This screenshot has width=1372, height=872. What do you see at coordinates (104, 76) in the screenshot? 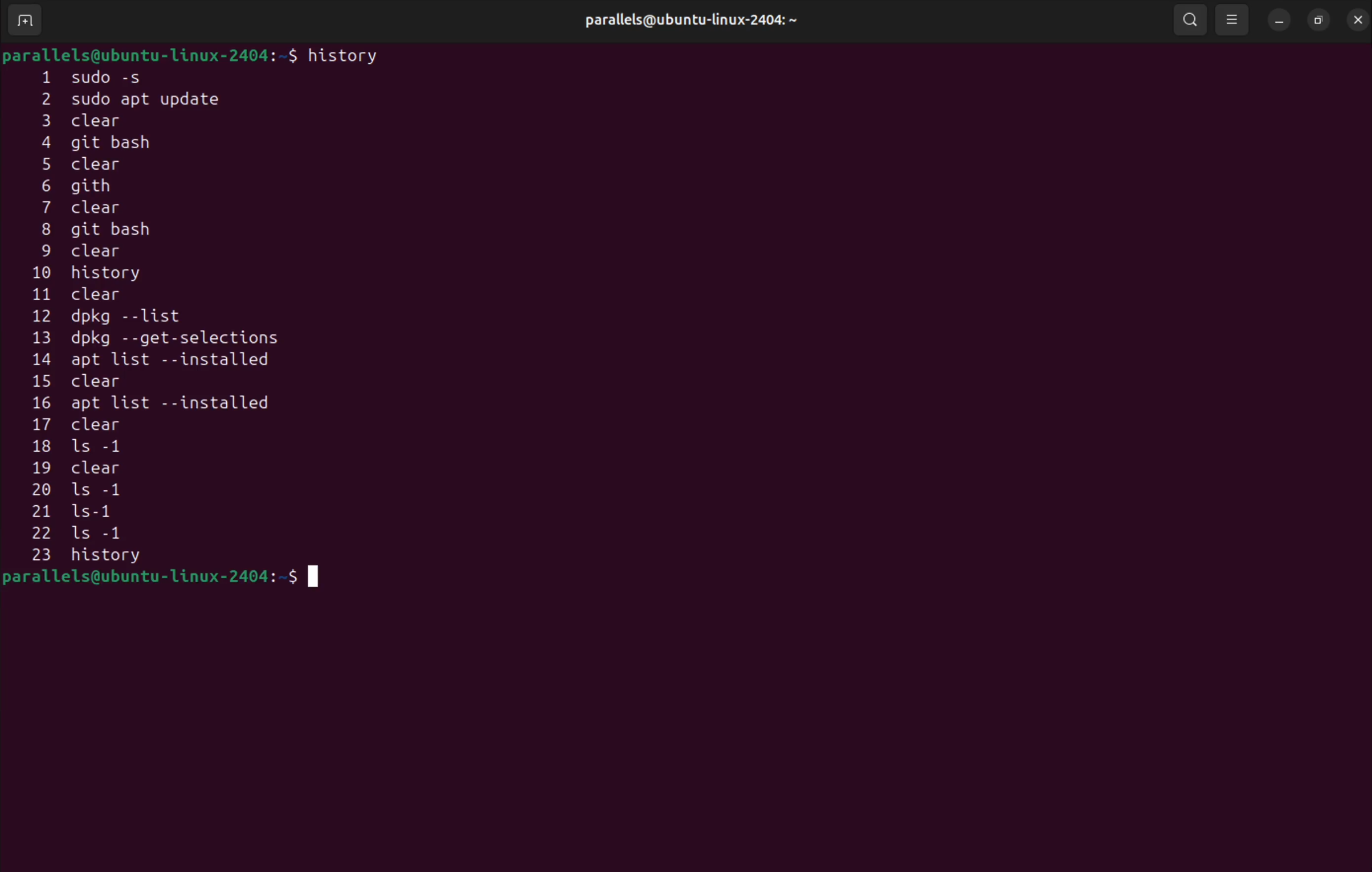
I see `1 sudo -s` at bounding box center [104, 76].